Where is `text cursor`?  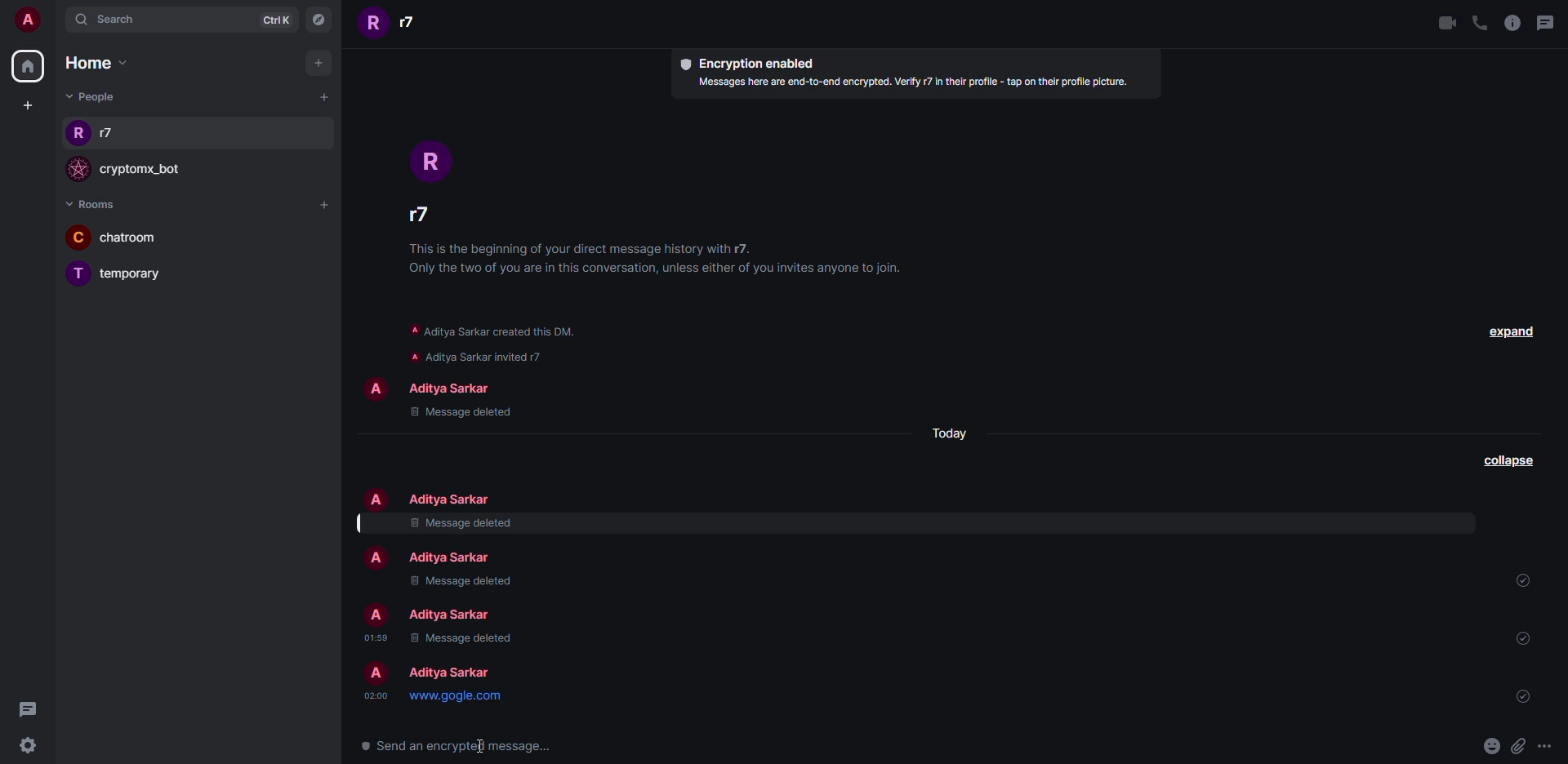
text cursor is located at coordinates (481, 745).